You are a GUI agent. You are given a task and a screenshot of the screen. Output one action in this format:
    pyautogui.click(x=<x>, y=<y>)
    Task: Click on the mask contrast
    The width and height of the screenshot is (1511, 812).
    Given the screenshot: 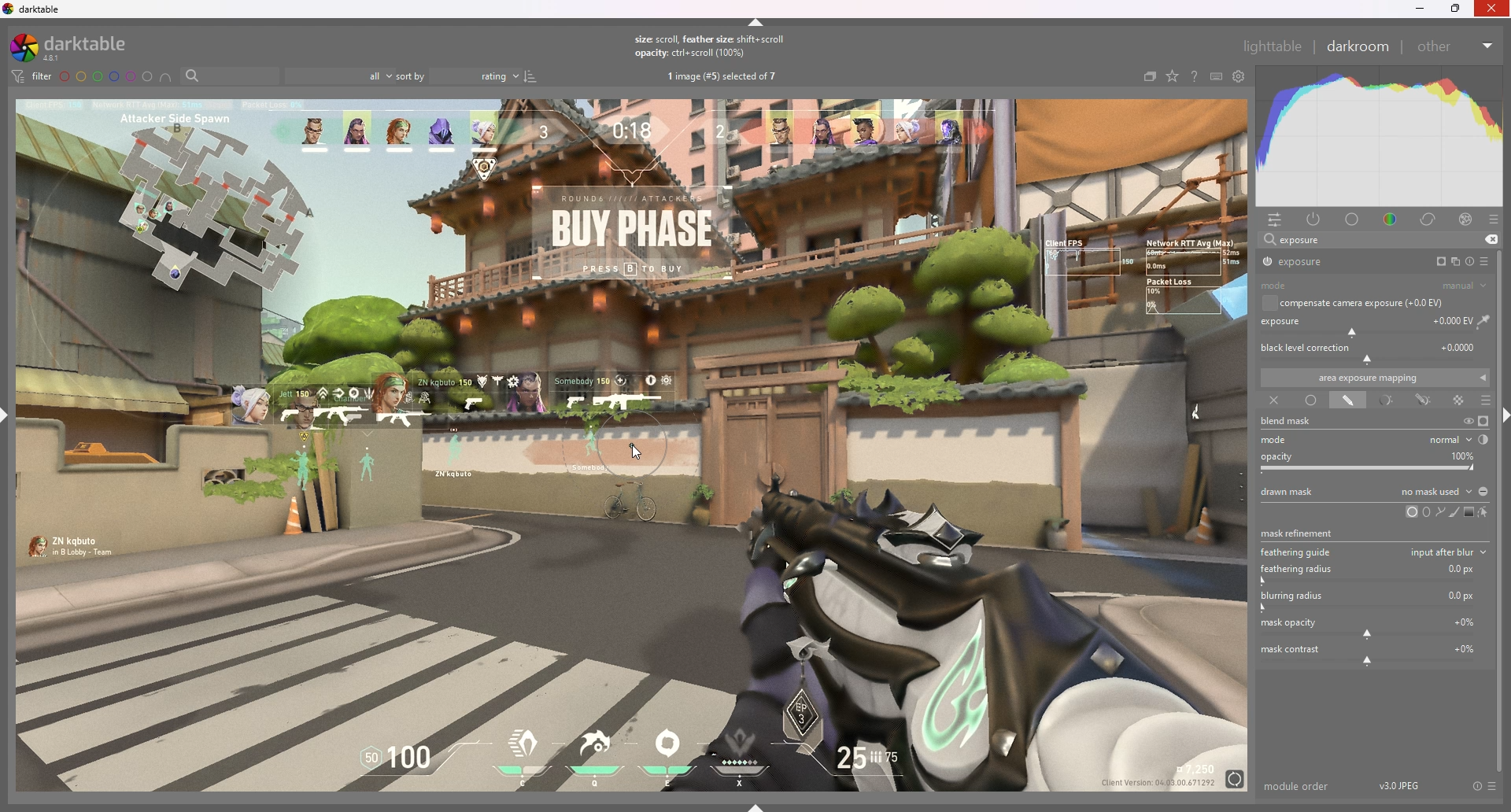 What is the action you would take?
    pyautogui.click(x=1372, y=654)
    